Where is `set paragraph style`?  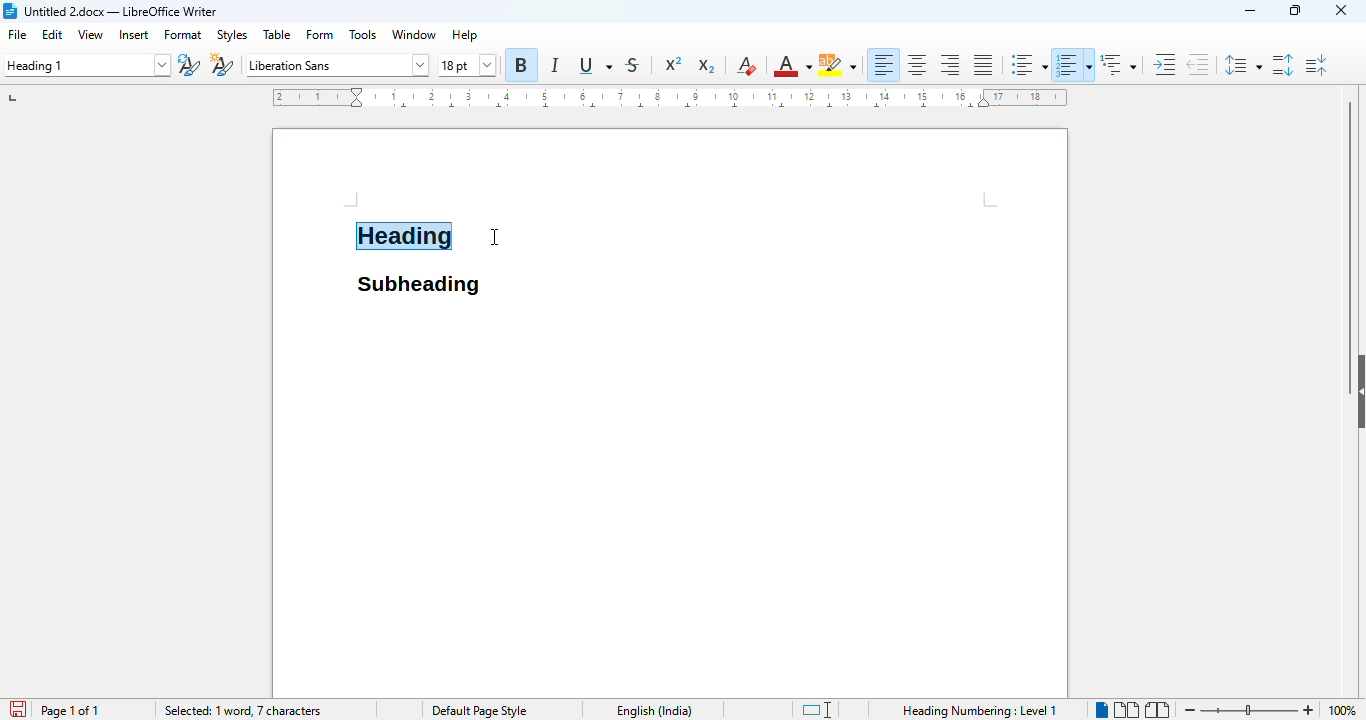
set paragraph style is located at coordinates (86, 65).